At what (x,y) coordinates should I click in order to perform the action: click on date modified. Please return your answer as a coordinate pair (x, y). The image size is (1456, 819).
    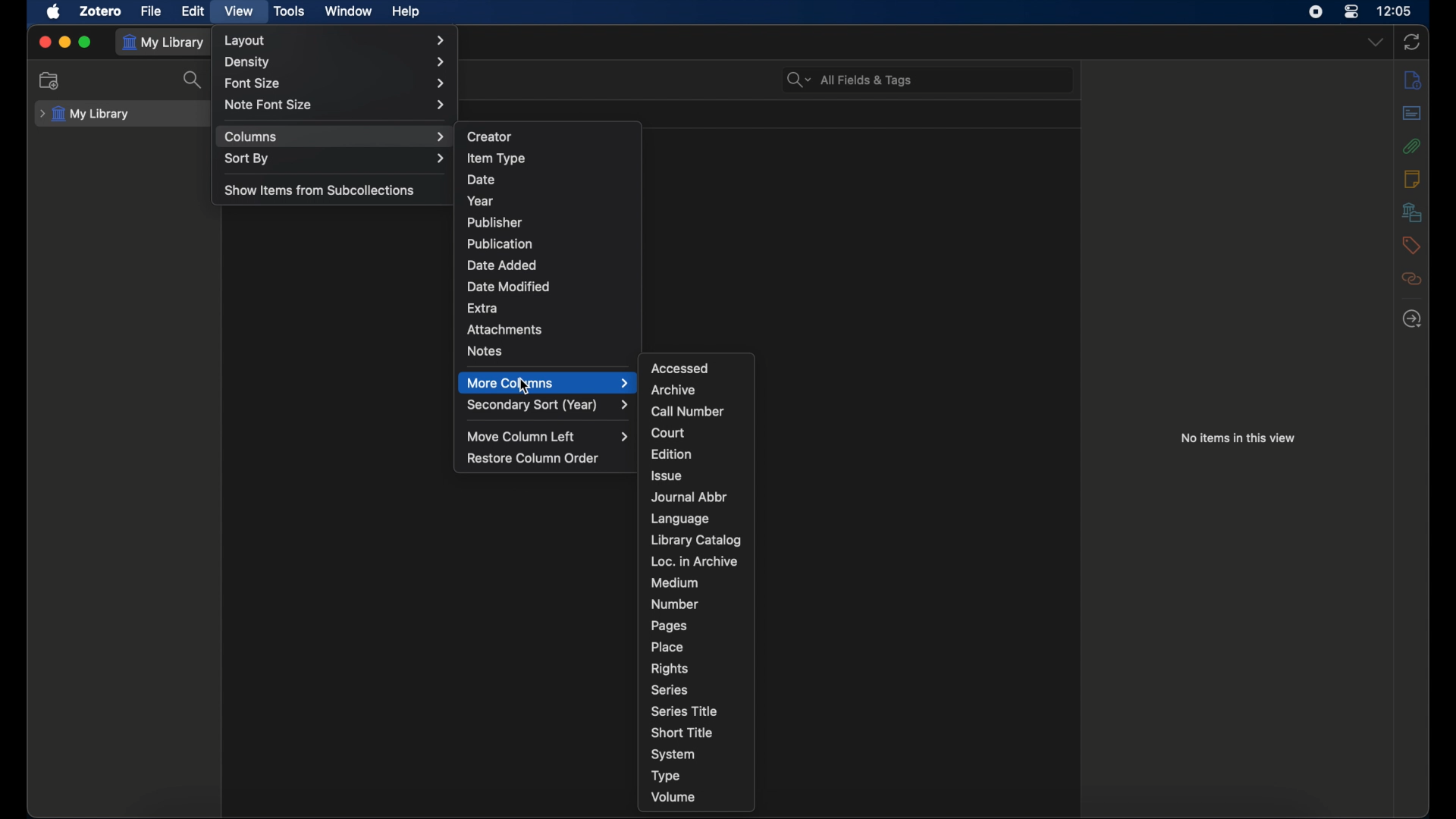
    Looking at the image, I should click on (510, 287).